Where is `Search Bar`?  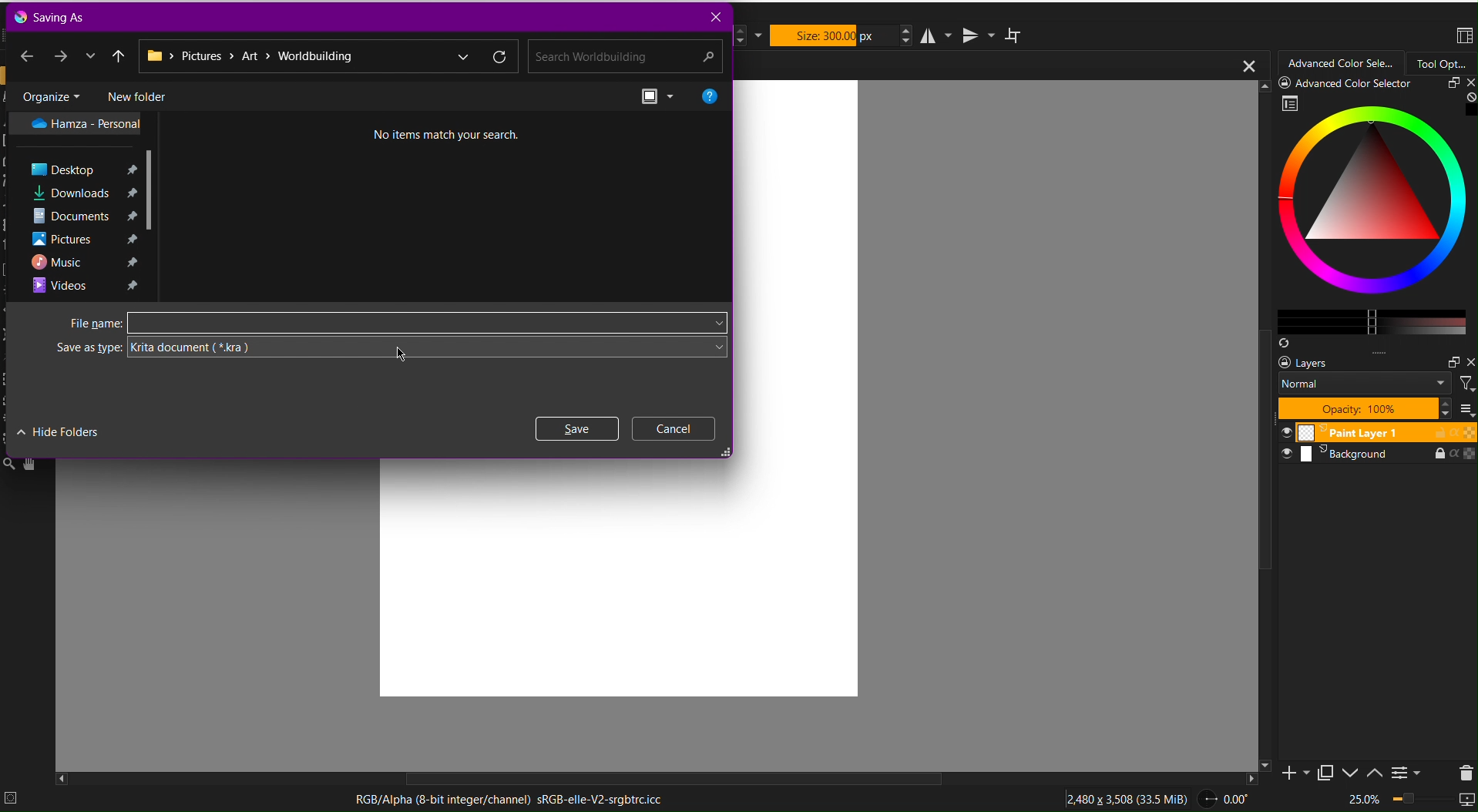
Search Bar is located at coordinates (622, 57).